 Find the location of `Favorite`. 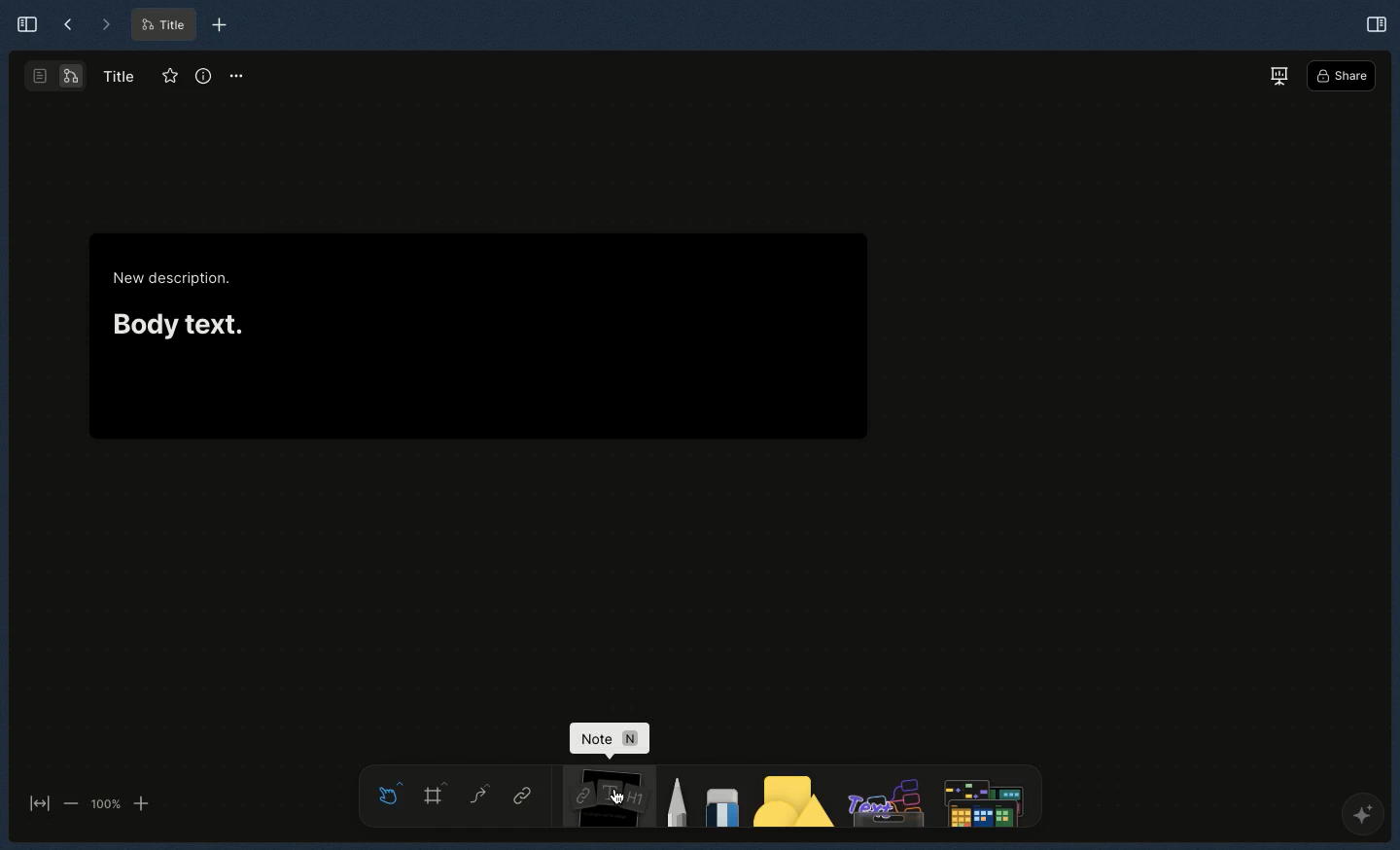

Favorite is located at coordinates (166, 77).